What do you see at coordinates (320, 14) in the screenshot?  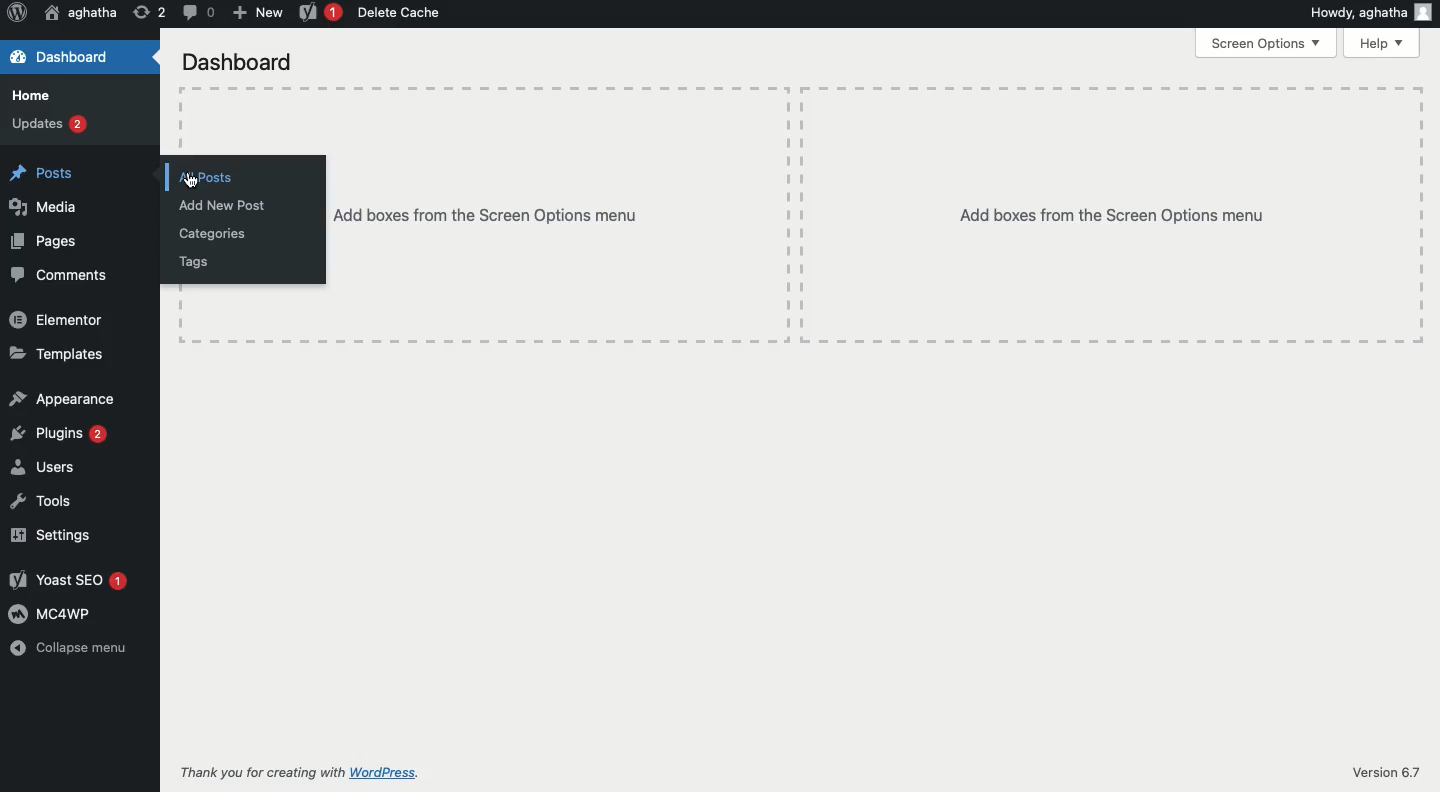 I see `Yoast` at bounding box center [320, 14].